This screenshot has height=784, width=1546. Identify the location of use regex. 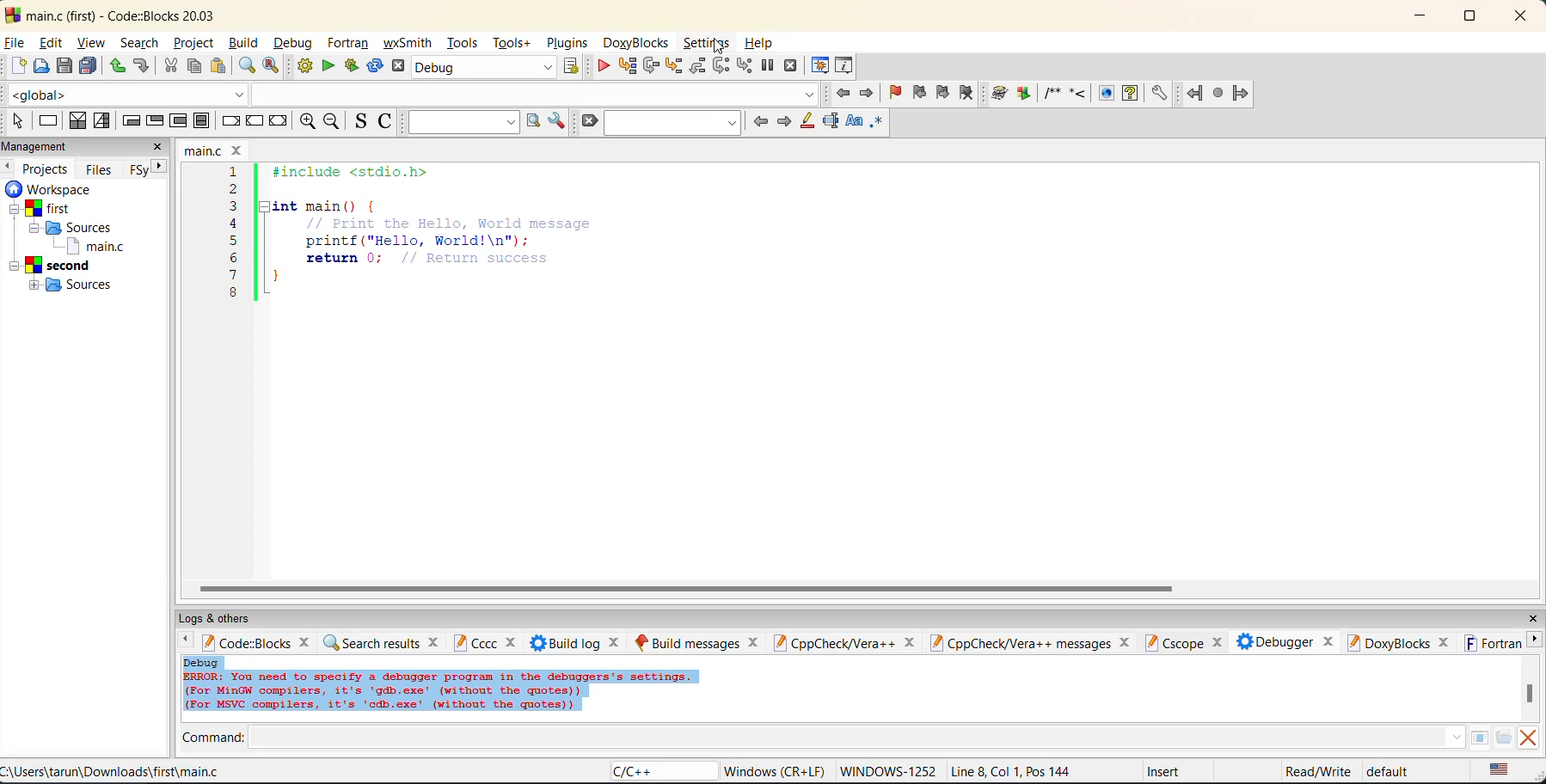
(881, 123).